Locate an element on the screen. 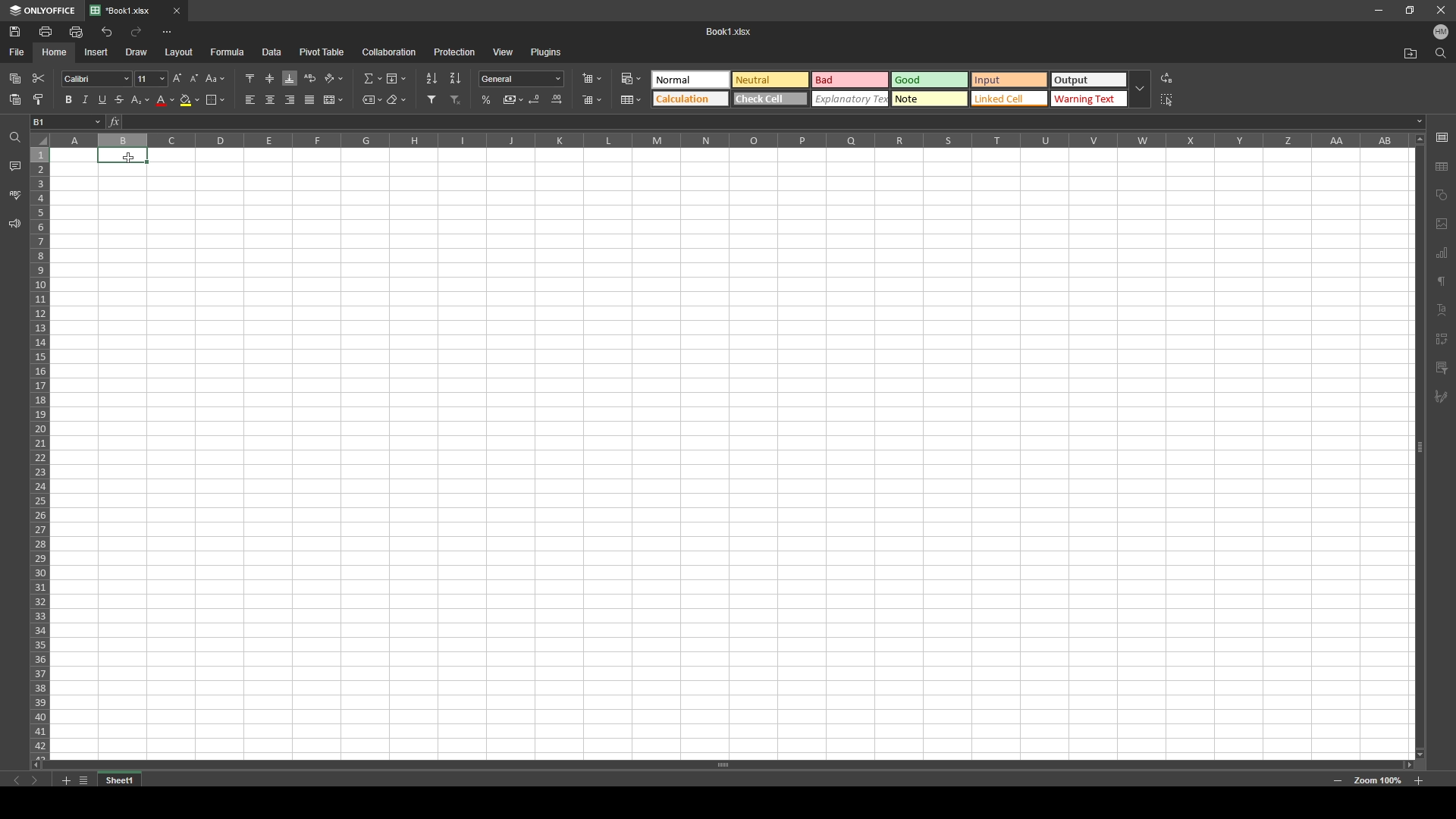  view is located at coordinates (503, 52).